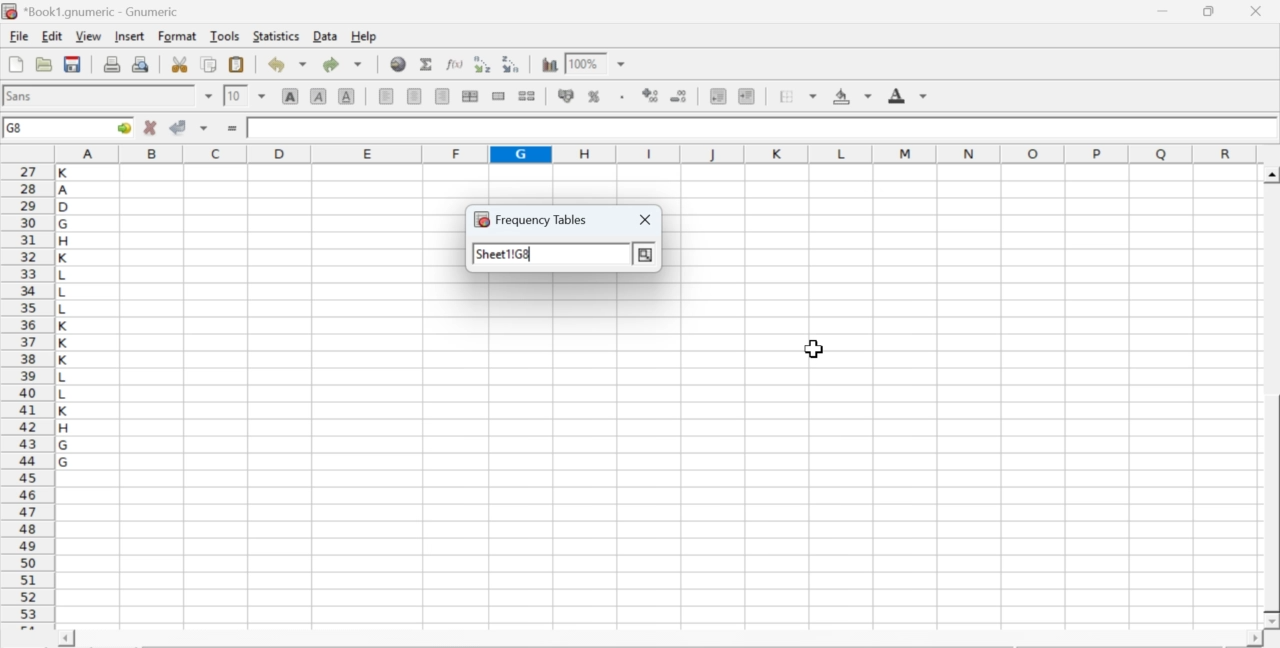 This screenshot has width=1280, height=648. Describe the element at coordinates (210, 64) in the screenshot. I see `copy` at that location.